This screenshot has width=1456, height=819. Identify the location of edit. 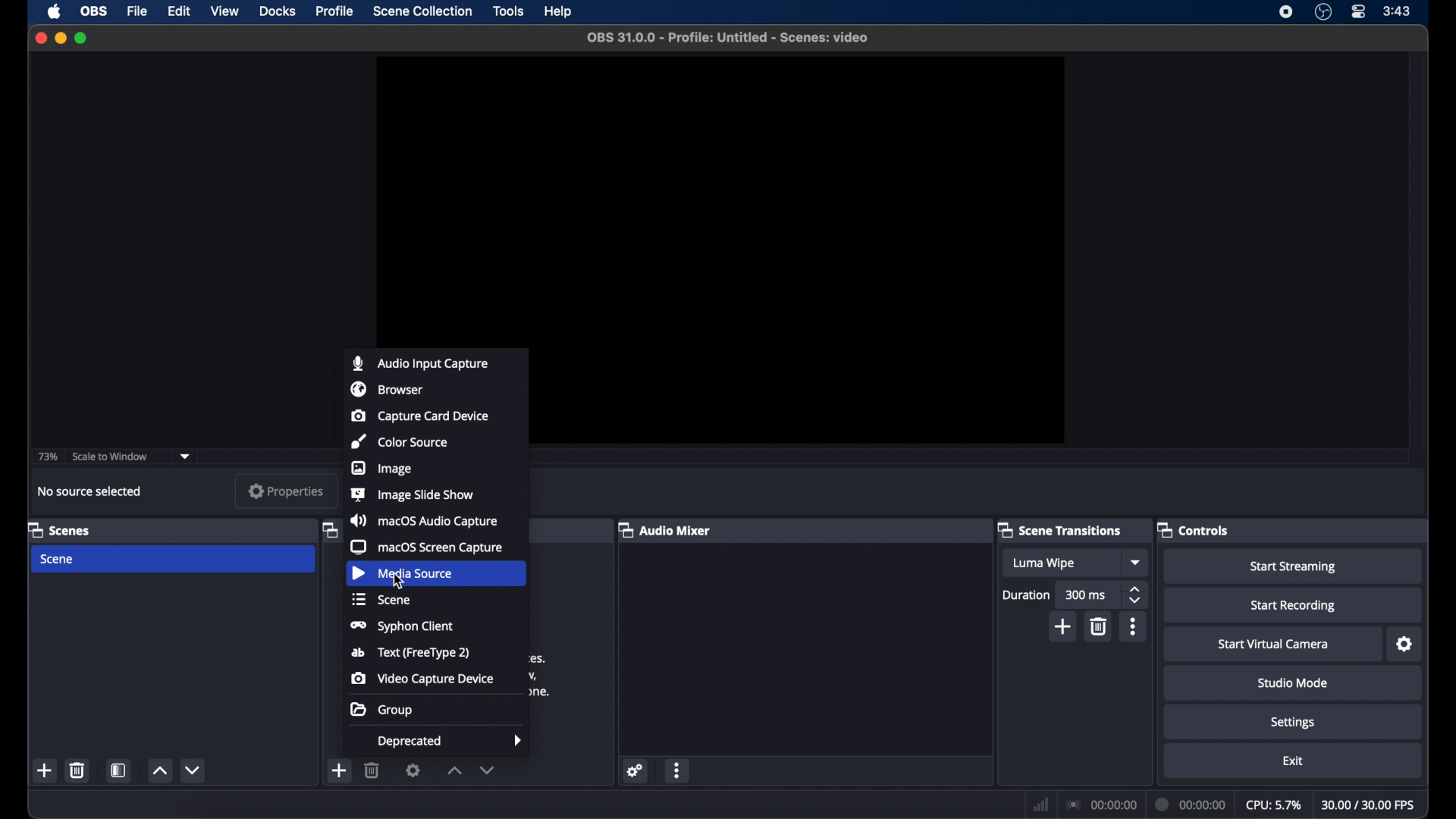
(178, 11).